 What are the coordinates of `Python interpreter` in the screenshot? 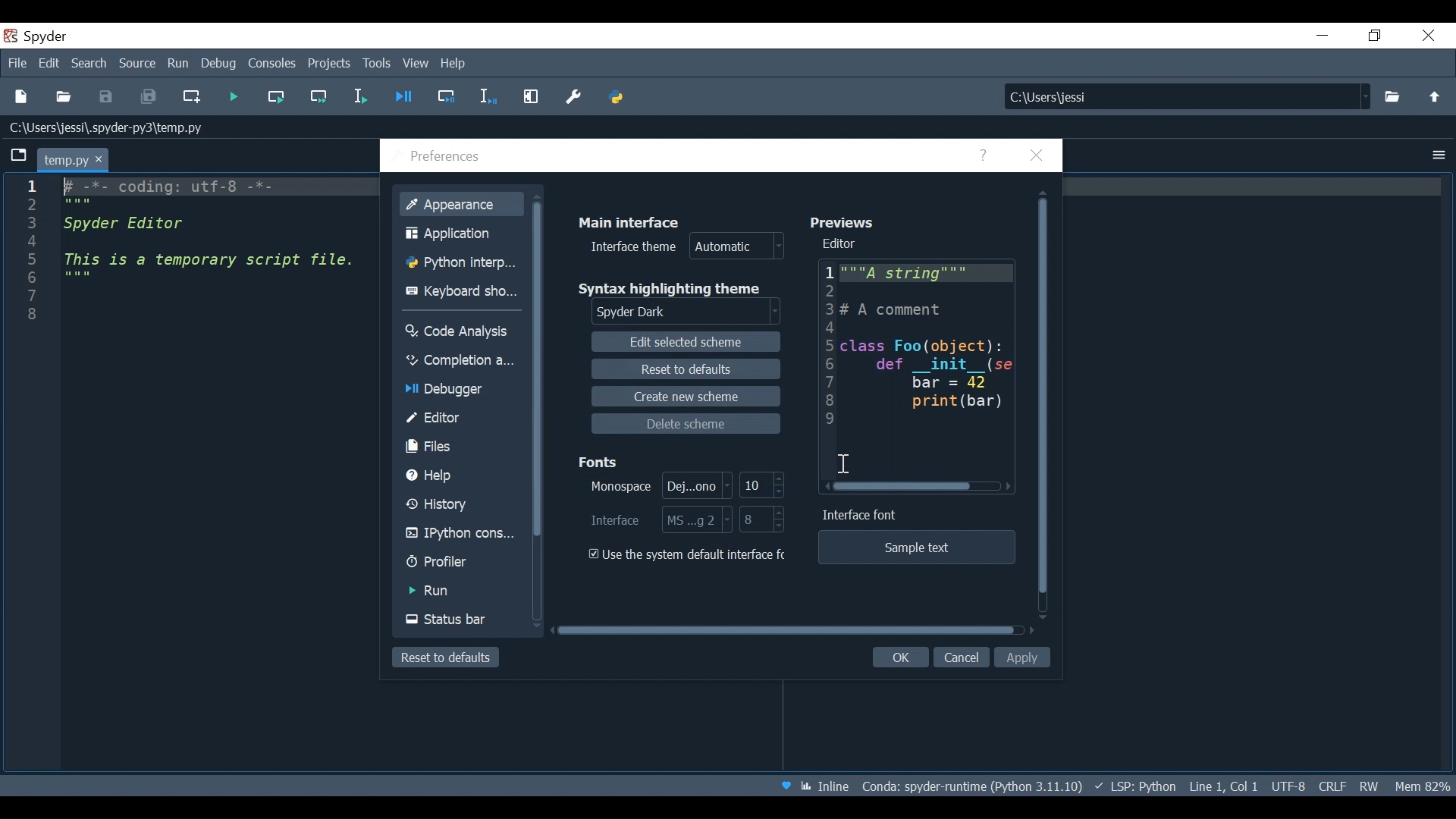 It's located at (461, 262).